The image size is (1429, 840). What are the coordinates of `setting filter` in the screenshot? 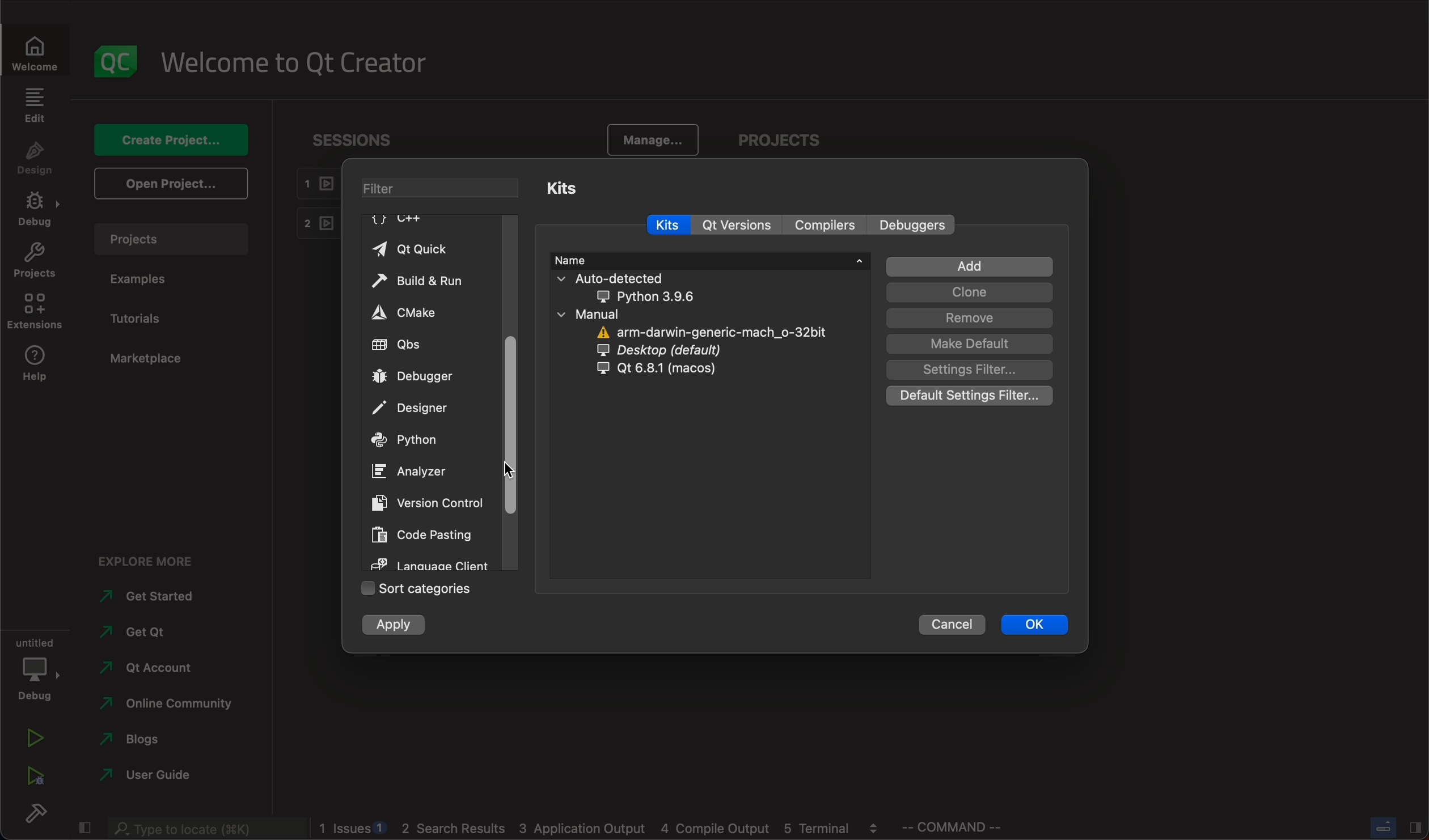 It's located at (974, 370).